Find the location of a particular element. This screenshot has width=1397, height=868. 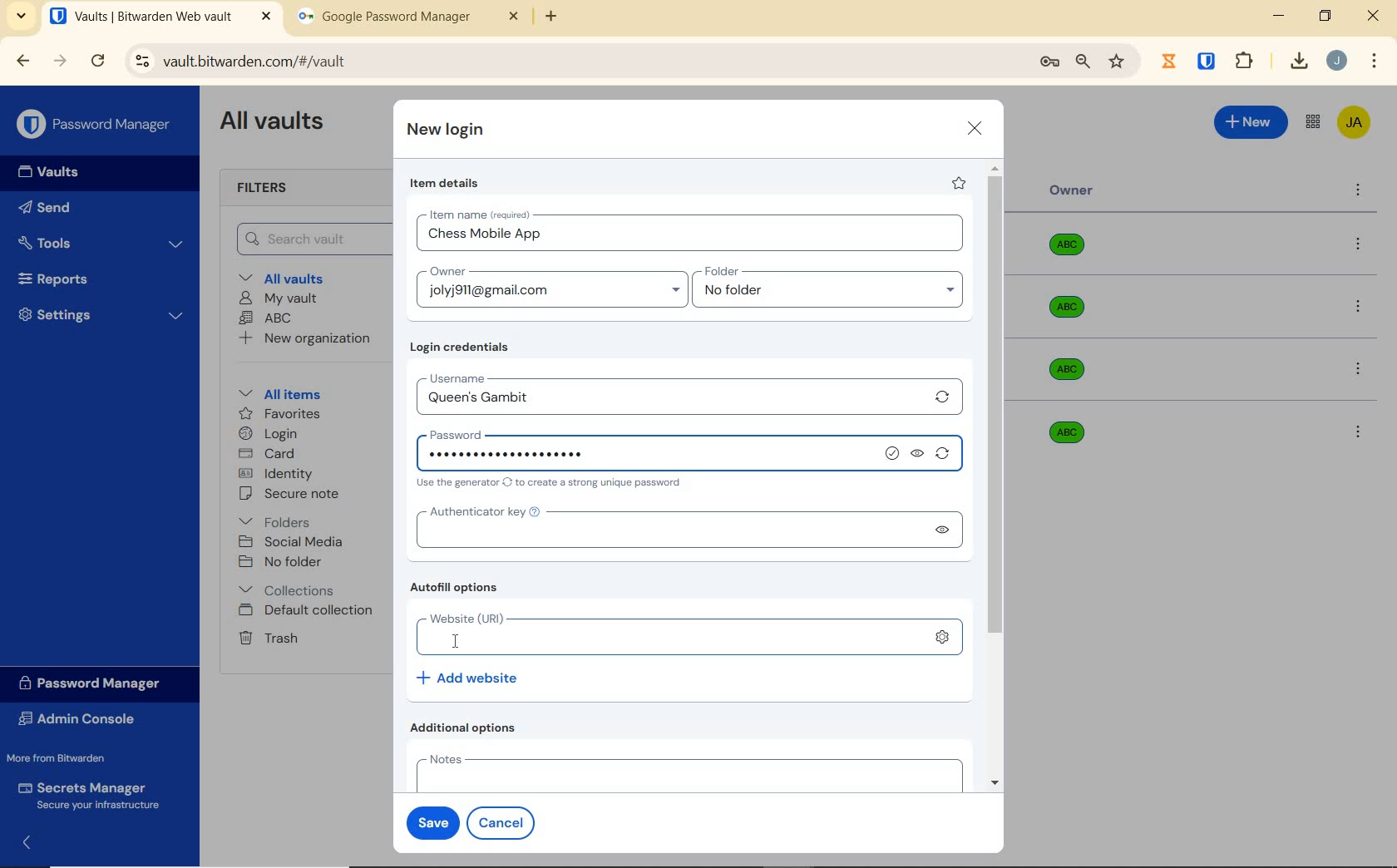

customize Google chrome is located at coordinates (1375, 62).